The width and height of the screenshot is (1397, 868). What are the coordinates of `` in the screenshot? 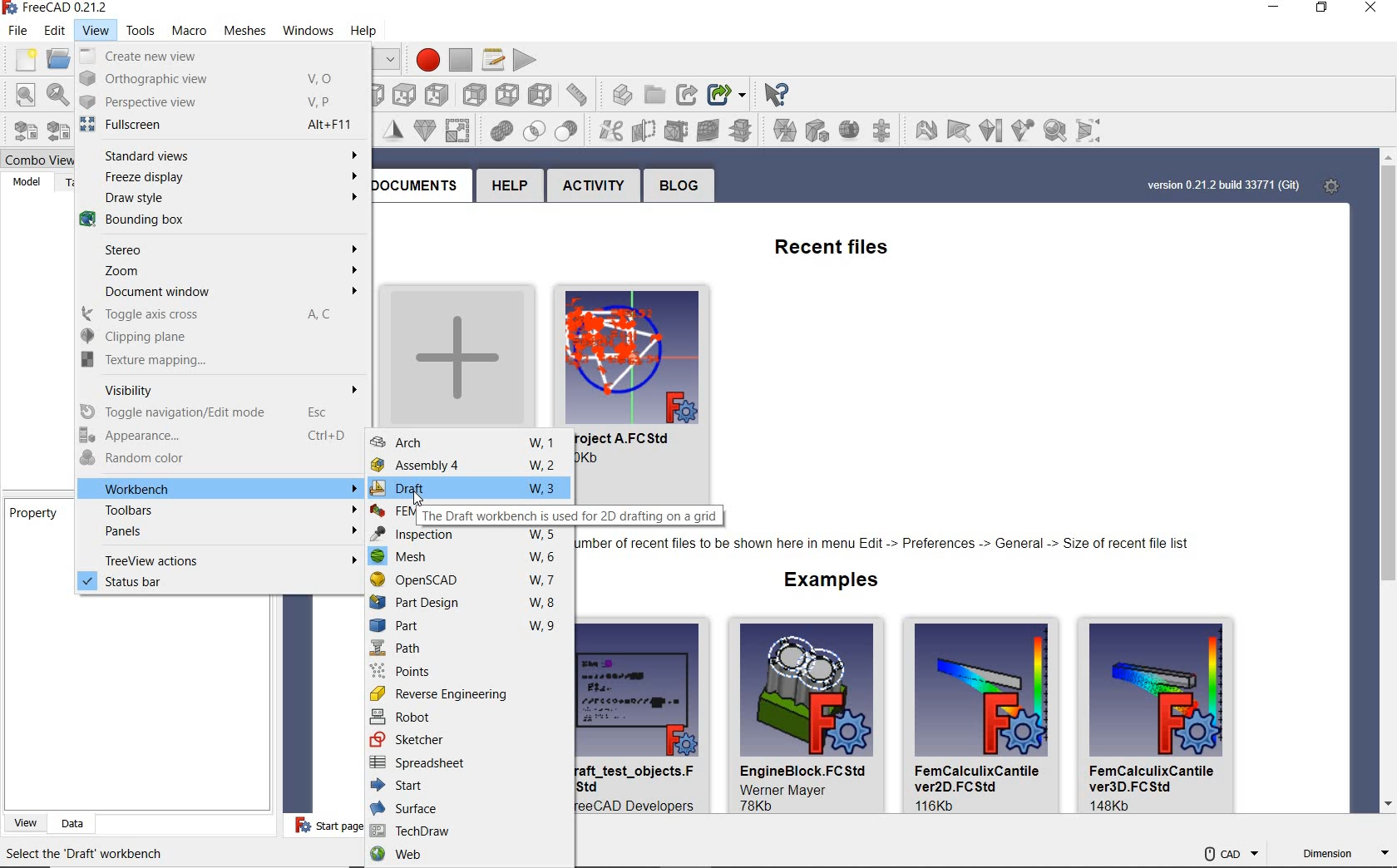 It's located at (220, 436).